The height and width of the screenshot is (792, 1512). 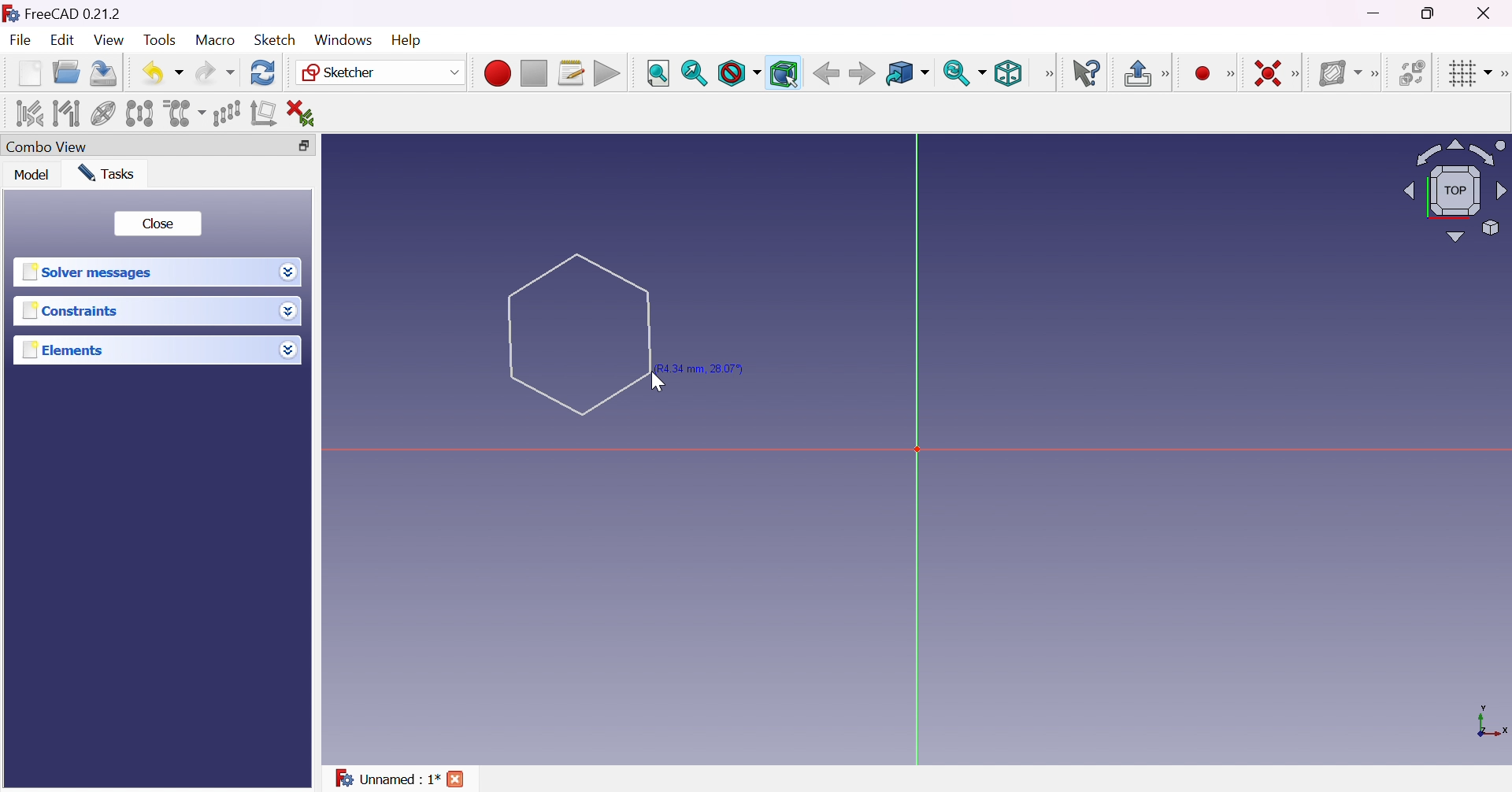 What do you see at coordinates (409, 41) in the screenshot?
I see `Help` at bounding box center [409, 41].